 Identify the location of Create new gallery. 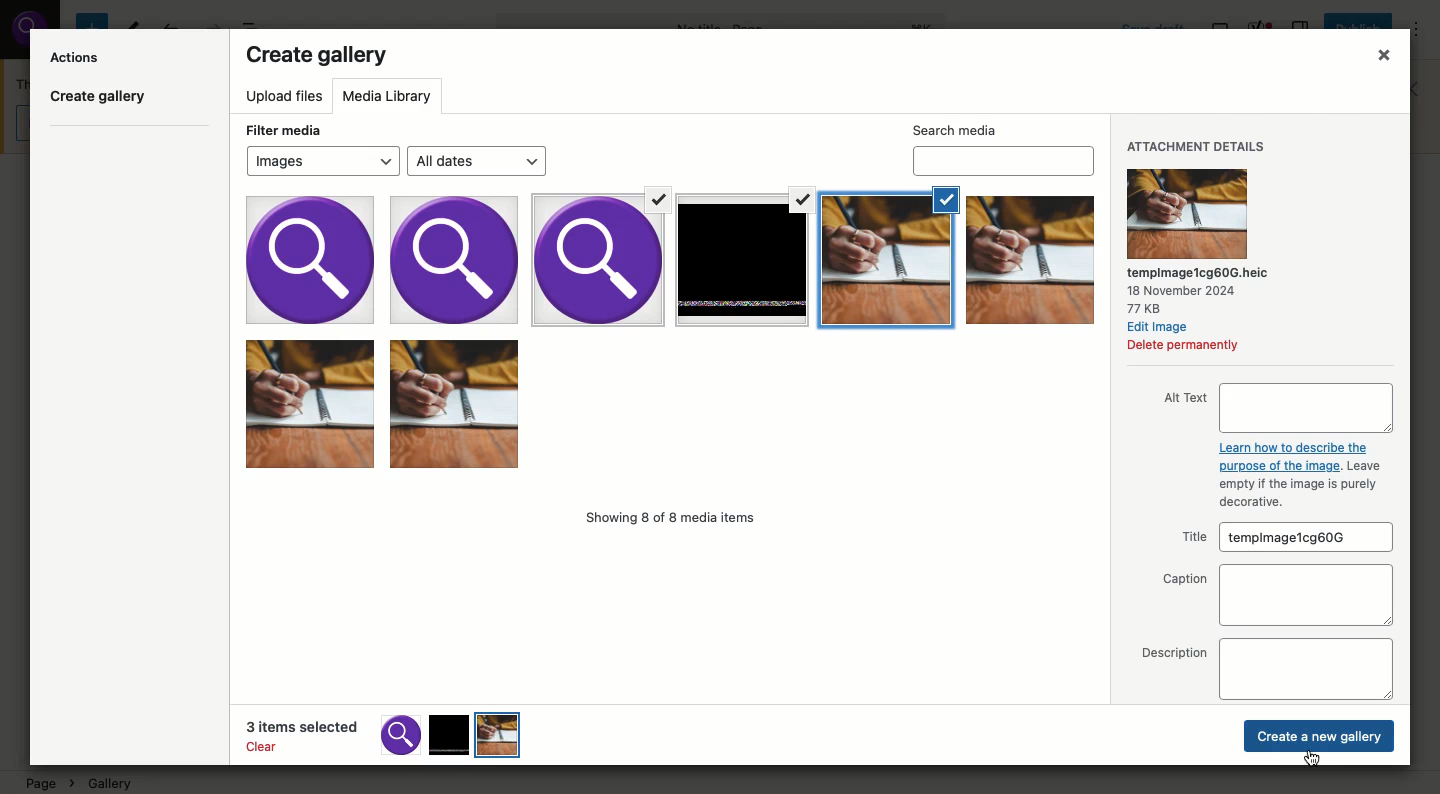
(1320, 737).